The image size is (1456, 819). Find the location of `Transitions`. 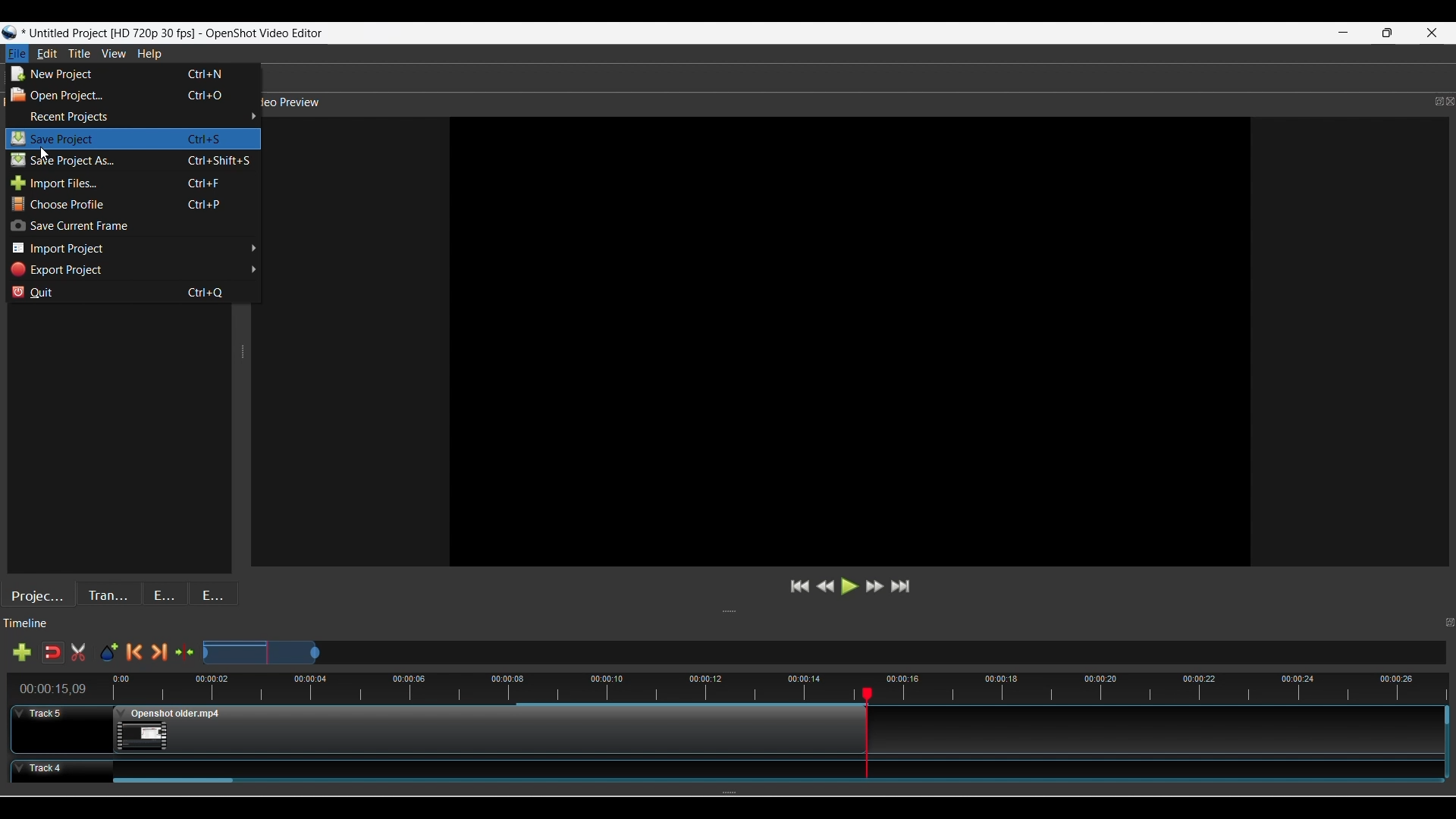

Transitions is located at coordinates (108, 594).